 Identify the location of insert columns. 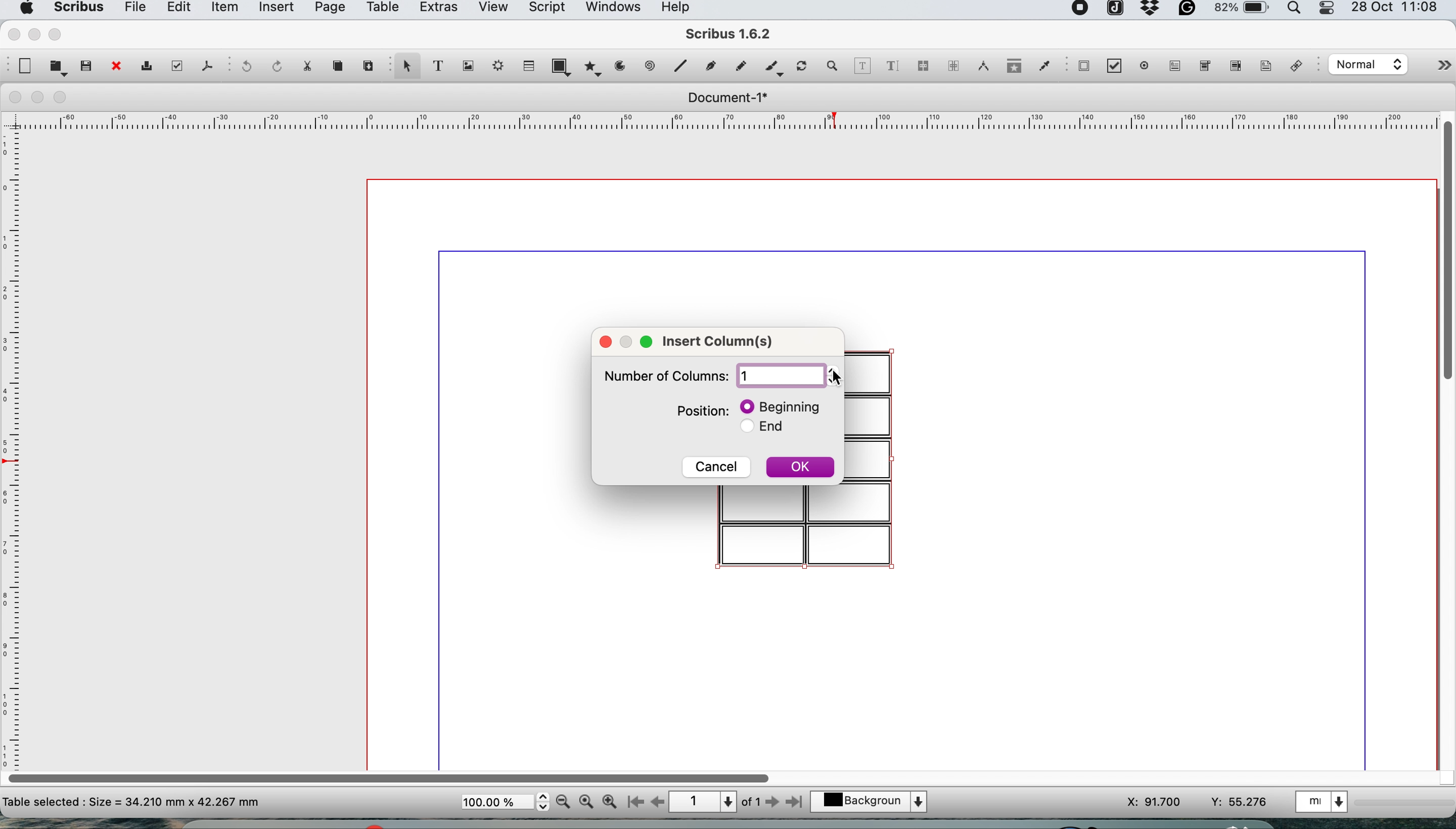
(717, 341).